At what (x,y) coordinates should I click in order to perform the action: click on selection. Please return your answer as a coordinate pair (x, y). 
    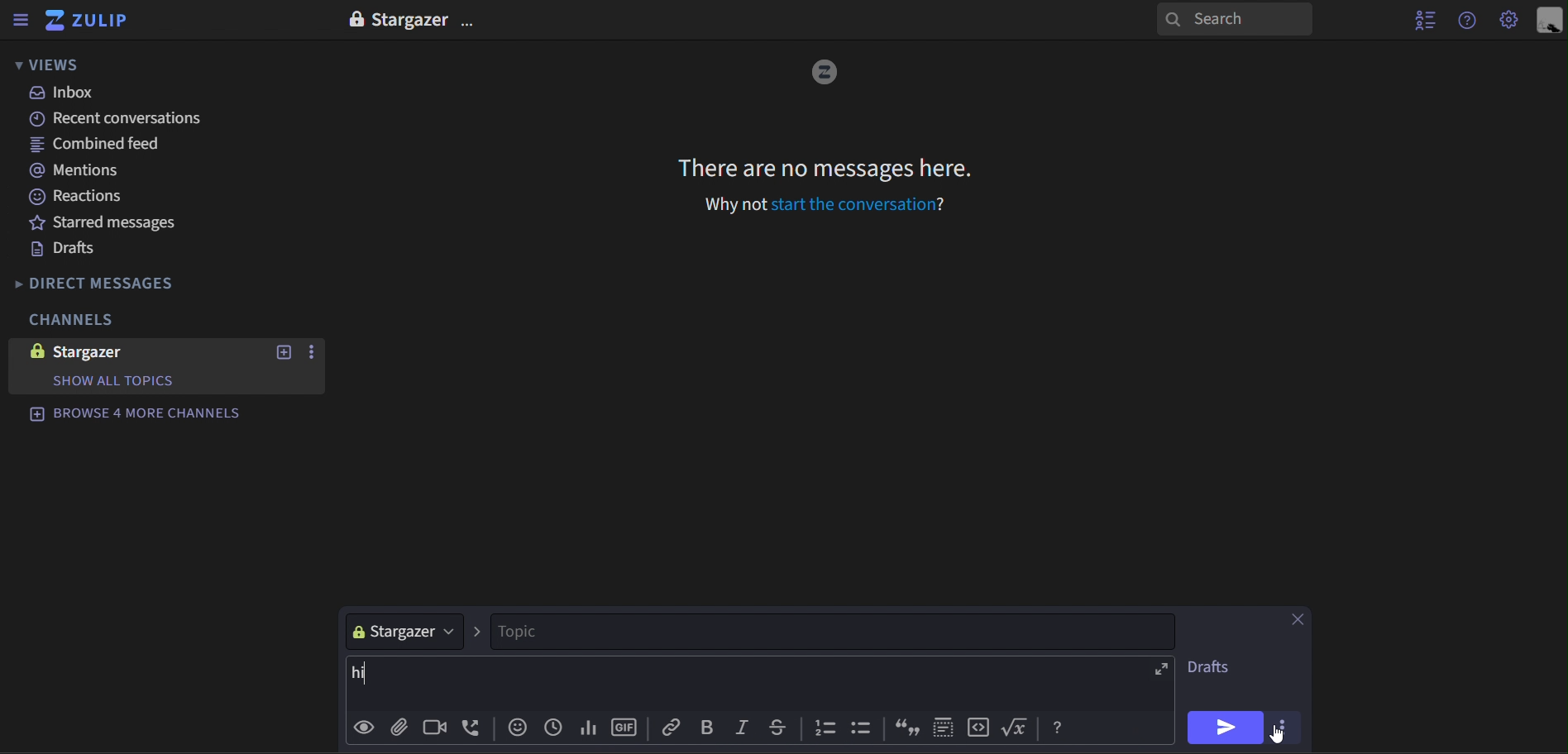
    Looking at the image, I should click on (944, 728).